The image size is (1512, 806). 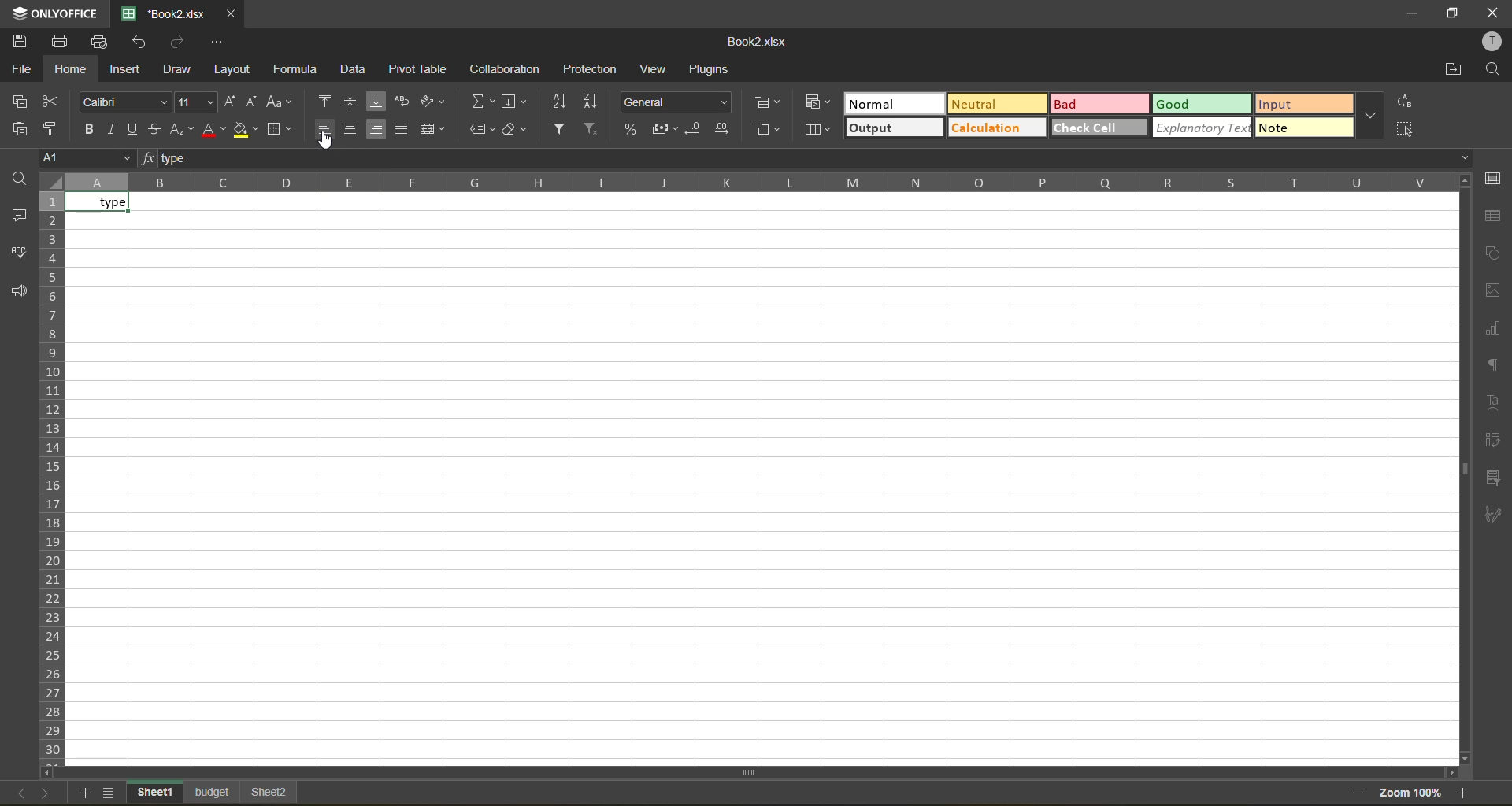 What do you see at coordinates (133, 128) in the screenshot?
I see `underline` at bounding box center [133, 128].